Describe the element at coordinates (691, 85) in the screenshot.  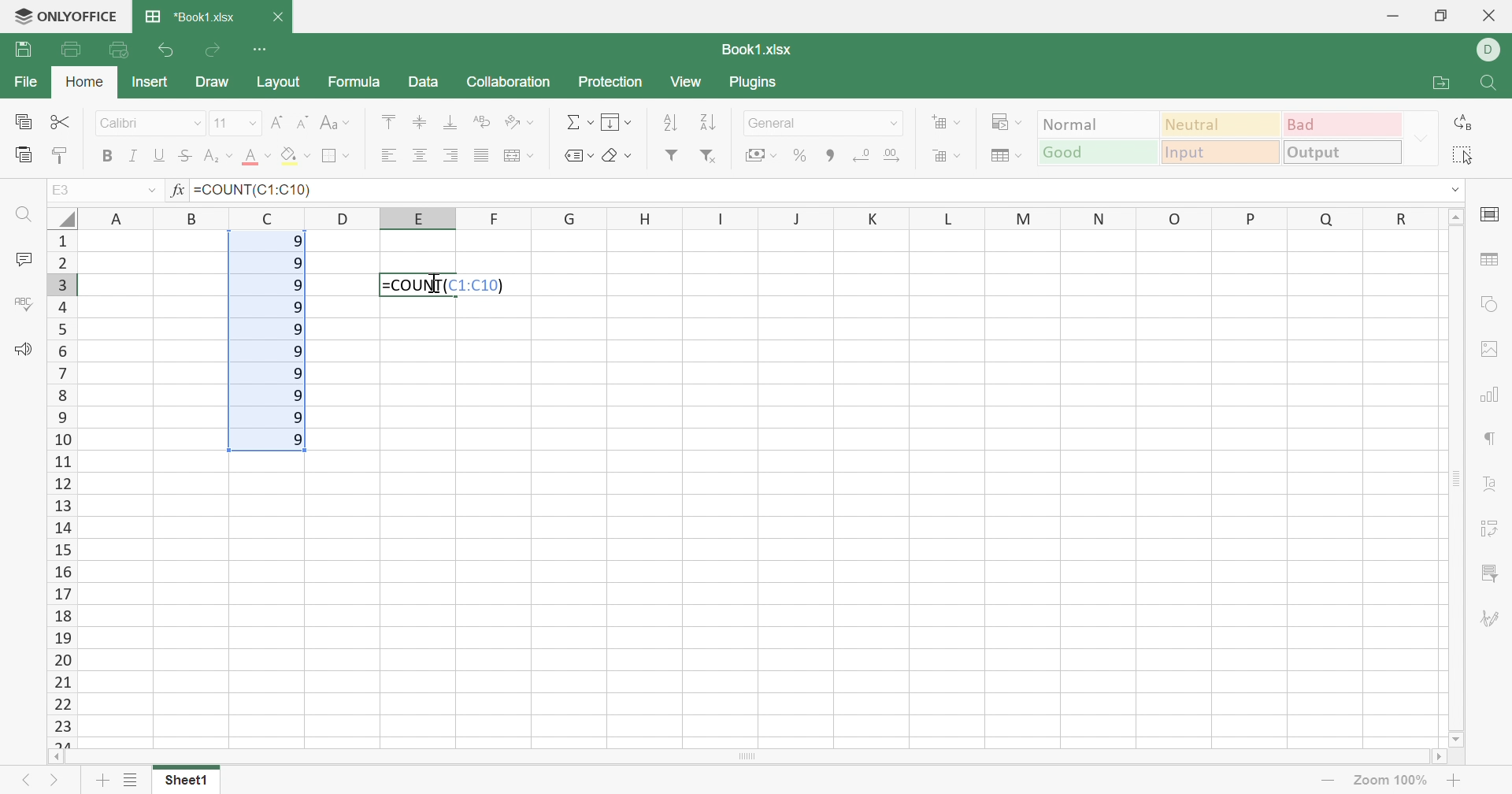
I see `View` at that location.